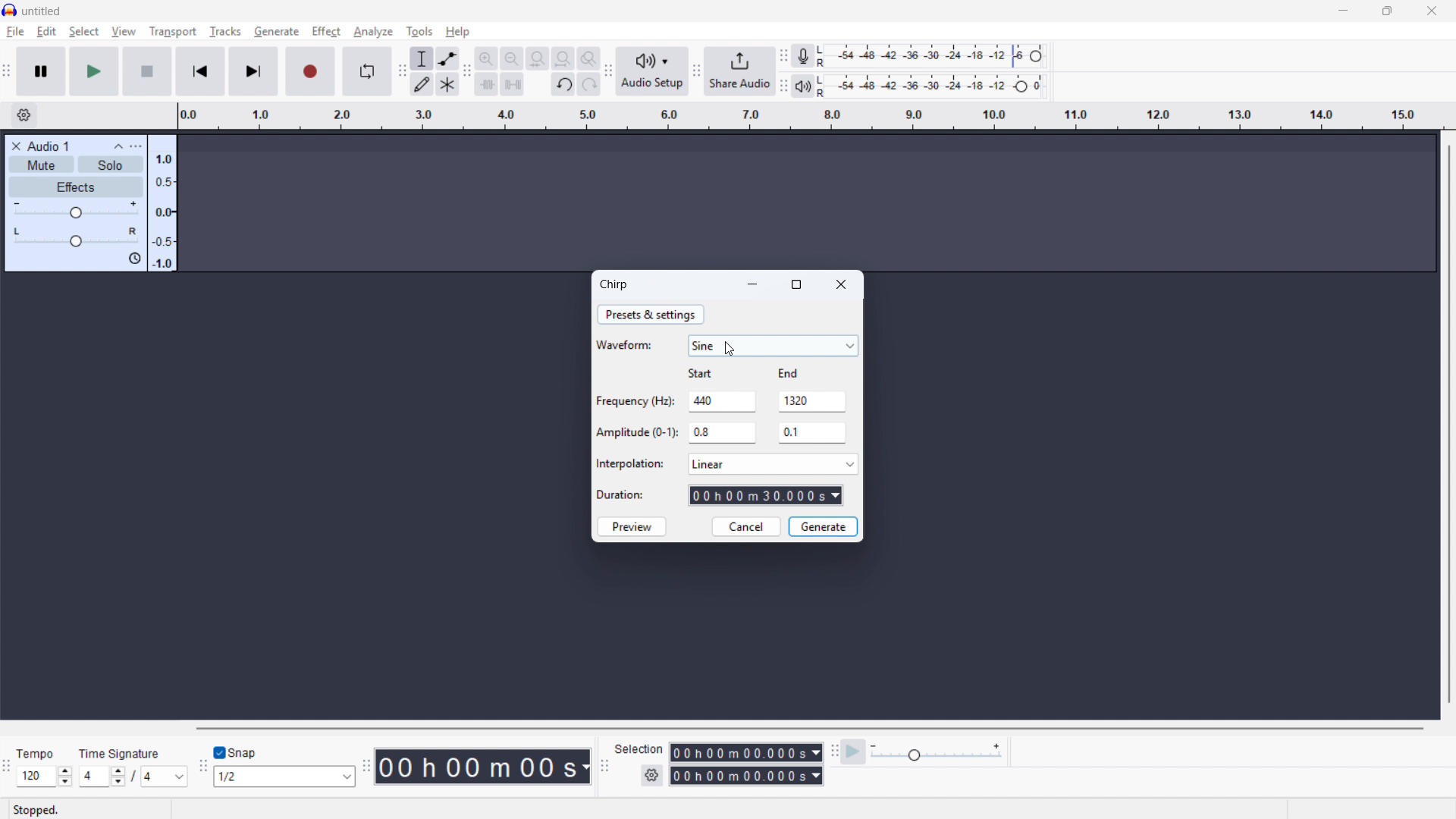 This screenshot has height=819, width=1456. Describe the element at coordinates (835, 750) in the screenshot. I see `Play at speed toolbar ` at that location.